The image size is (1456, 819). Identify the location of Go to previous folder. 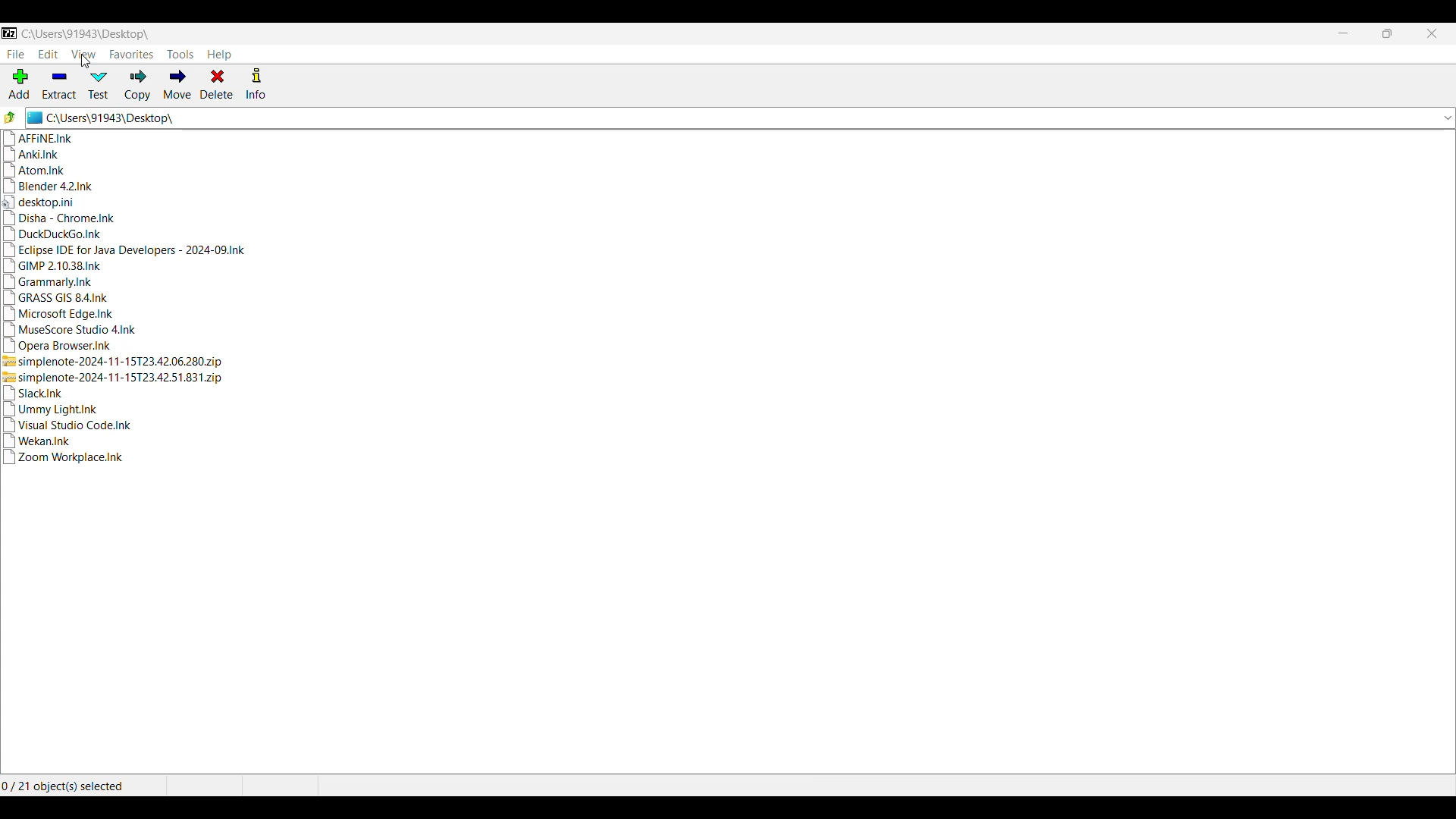
(10, 117).